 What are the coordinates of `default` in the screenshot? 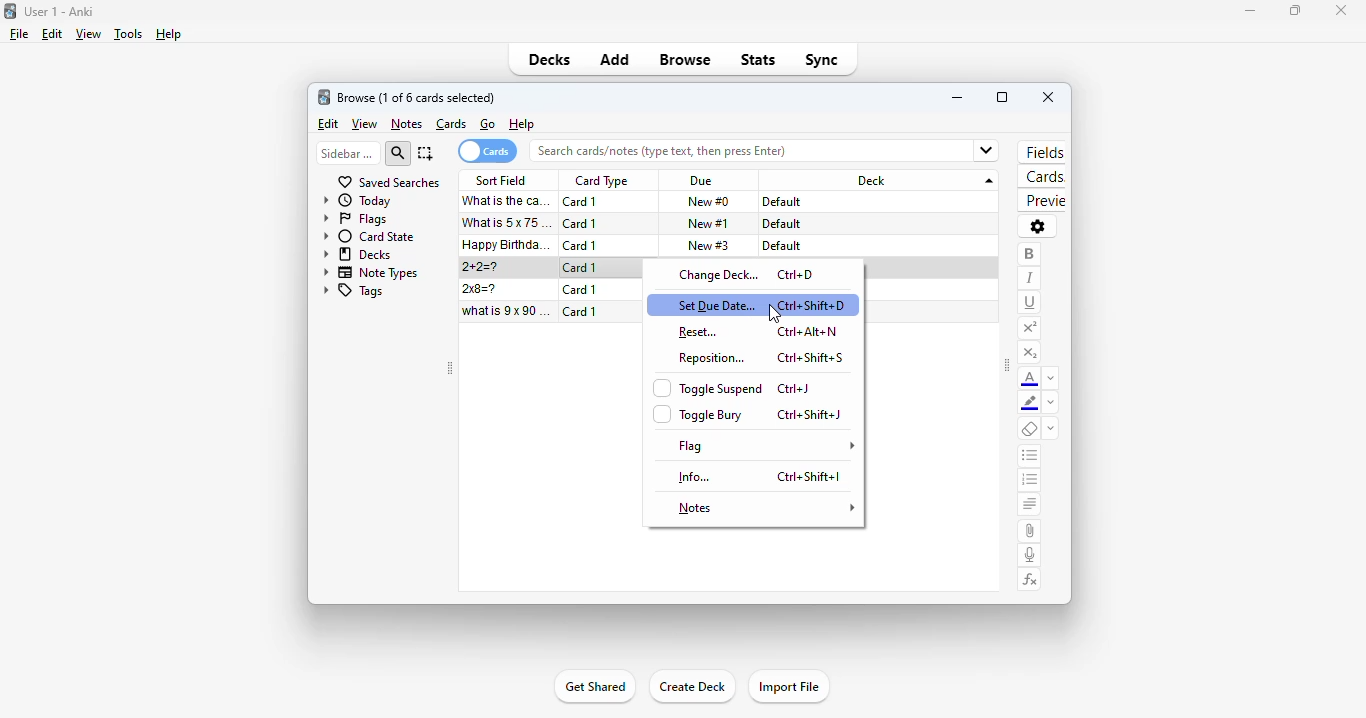 It's located at (783, 202).